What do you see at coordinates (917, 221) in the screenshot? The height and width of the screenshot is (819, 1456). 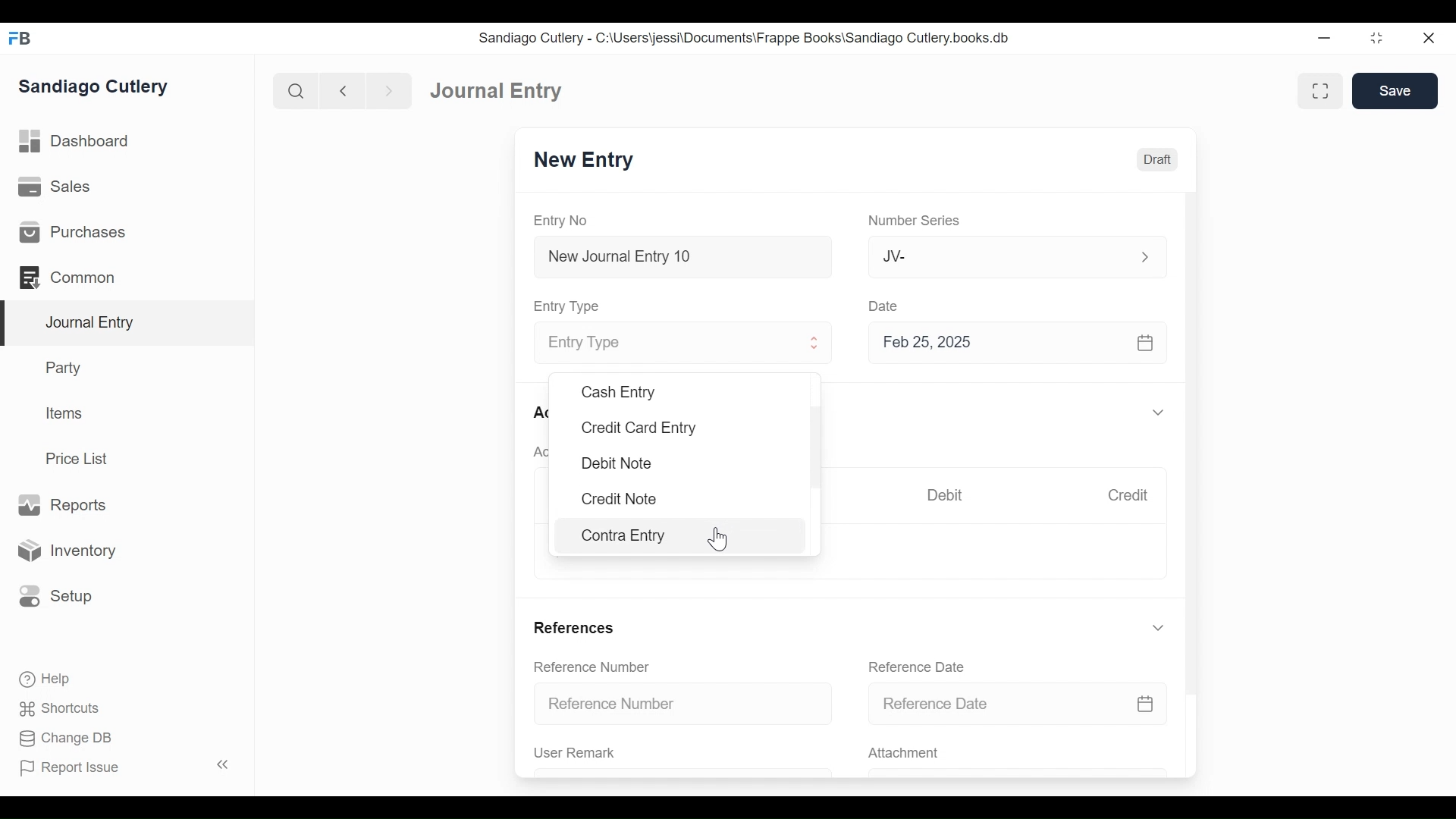 I see `Number Series` at bounding box center [917, 221].